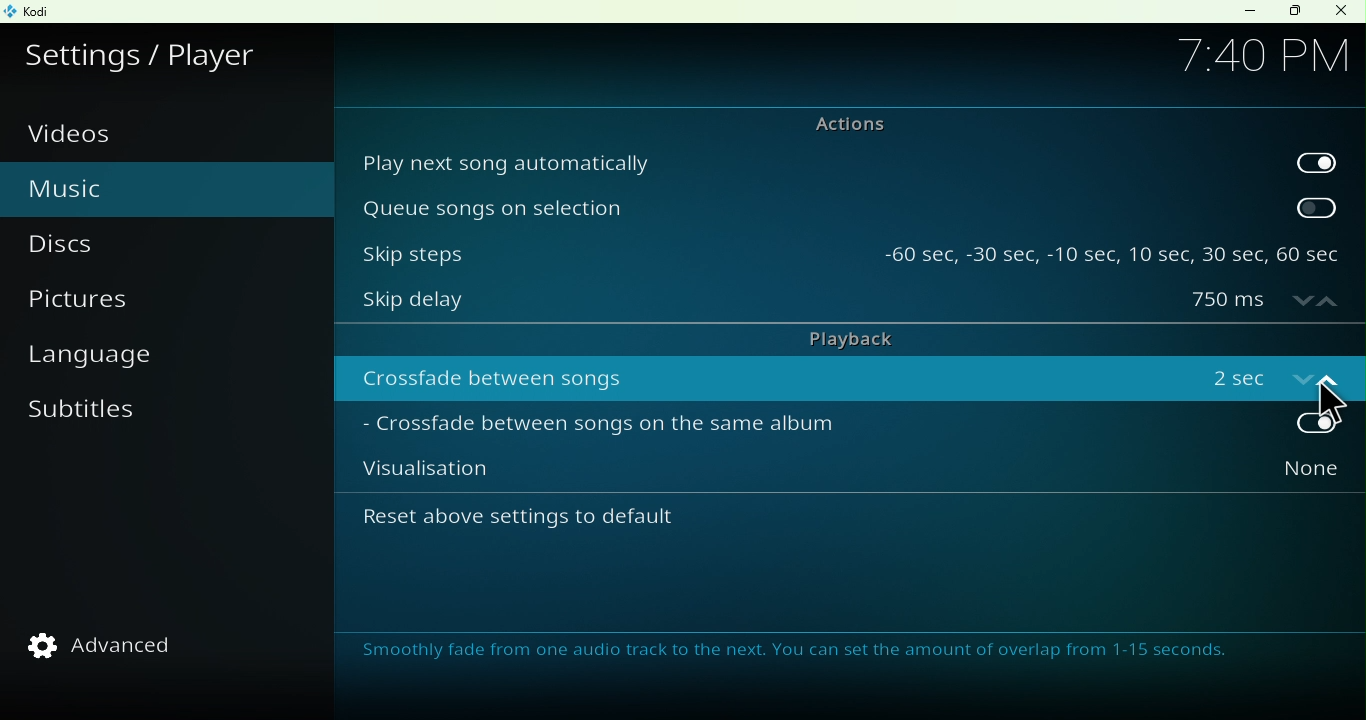 Image resolution: width=1366 pixels, height=720 pixels. I want to click on Playback, so click(840, 339).